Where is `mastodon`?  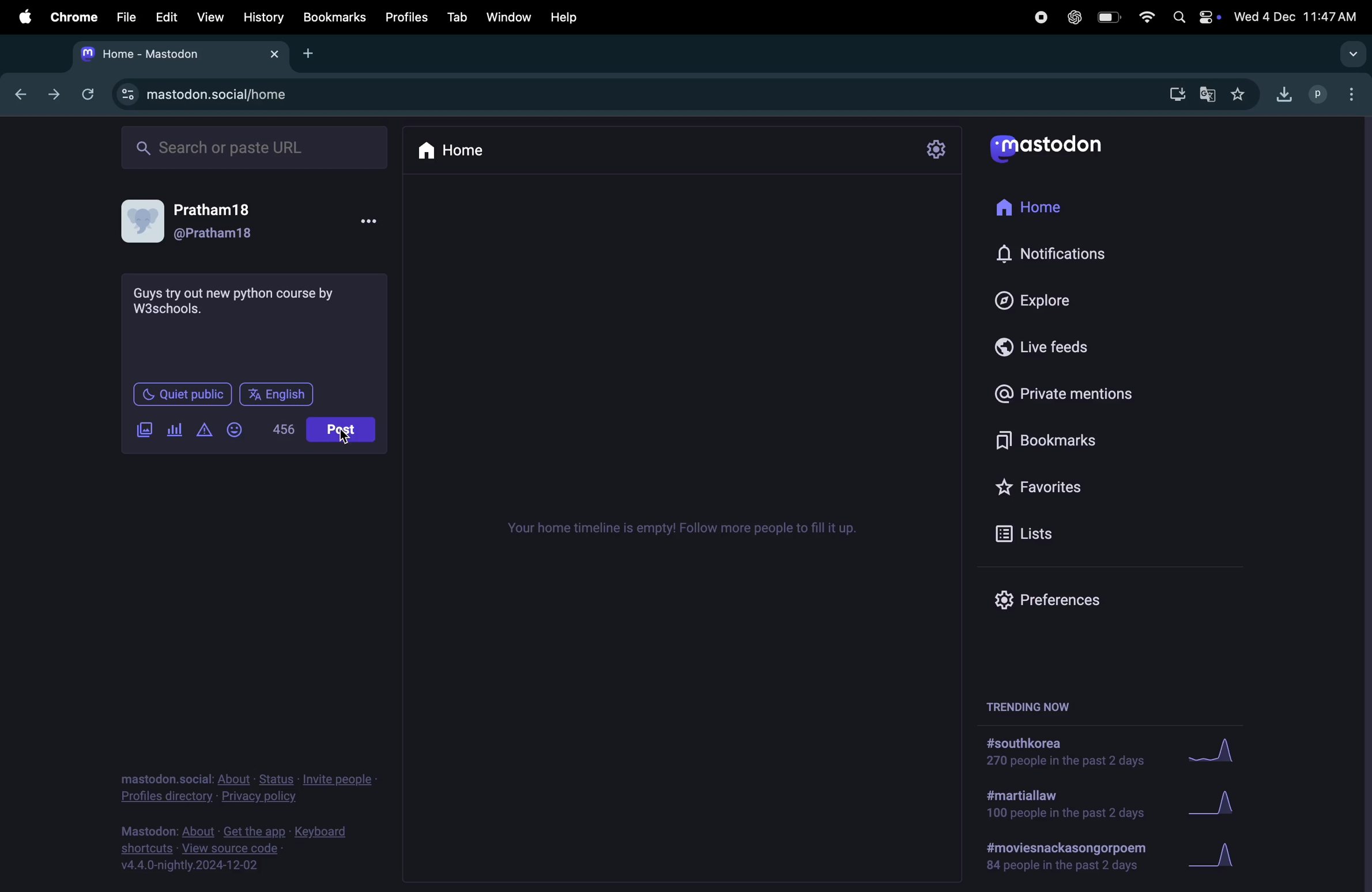
mastodon is located at coordinates (1053, 146).